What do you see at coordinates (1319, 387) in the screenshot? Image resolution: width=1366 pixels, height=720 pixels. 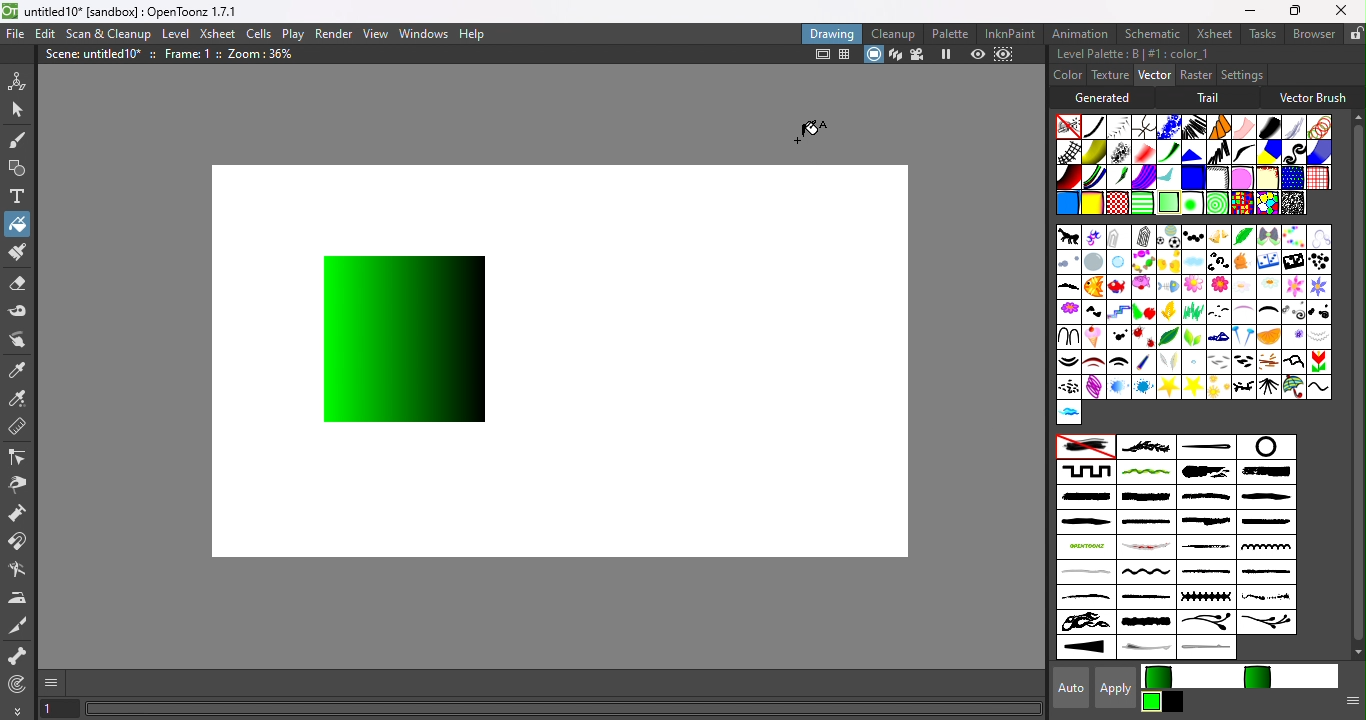 I see `Wave` at bounding box center [1319, 387].